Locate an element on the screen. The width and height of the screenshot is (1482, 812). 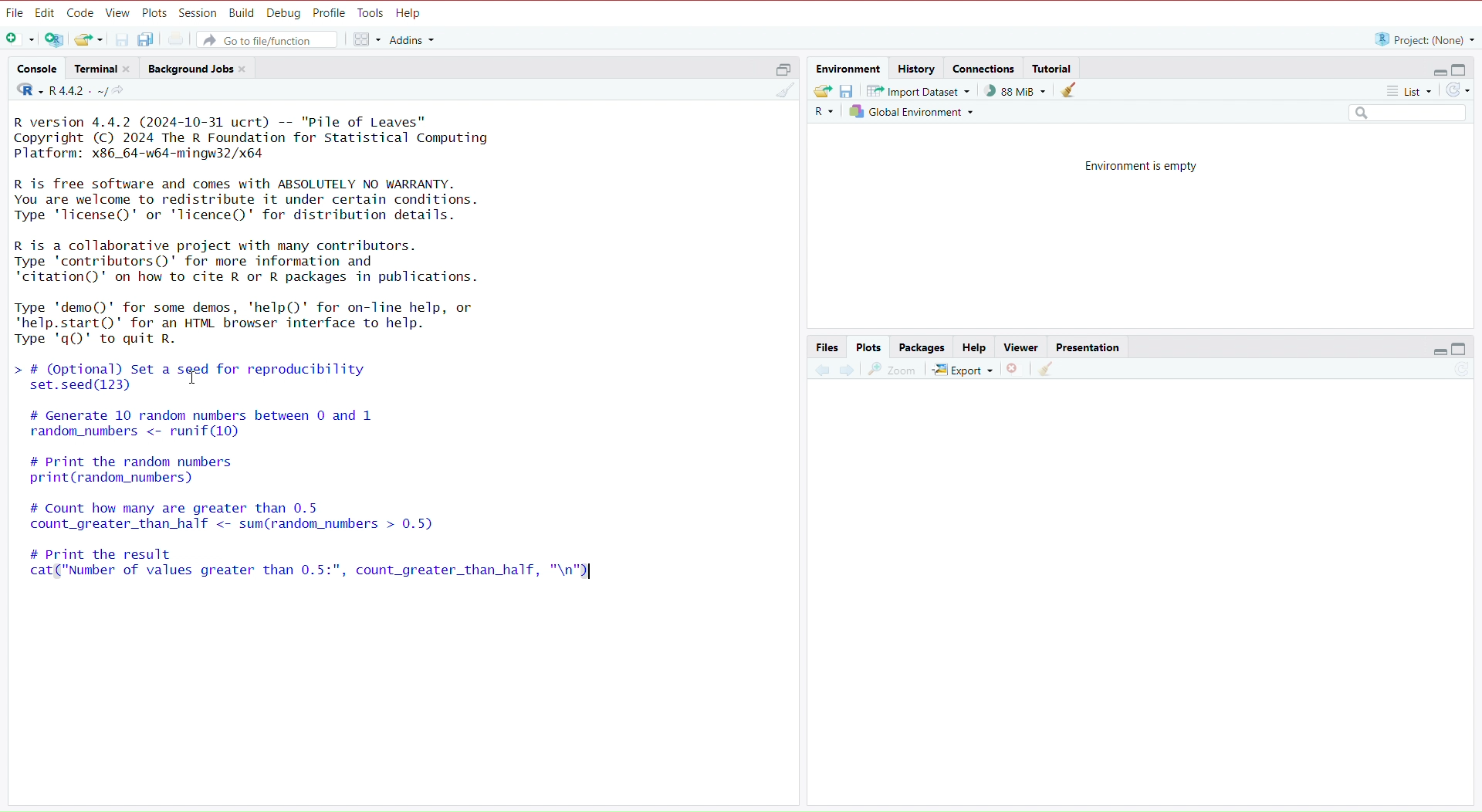
Edit is located at coordinates (46, 12).